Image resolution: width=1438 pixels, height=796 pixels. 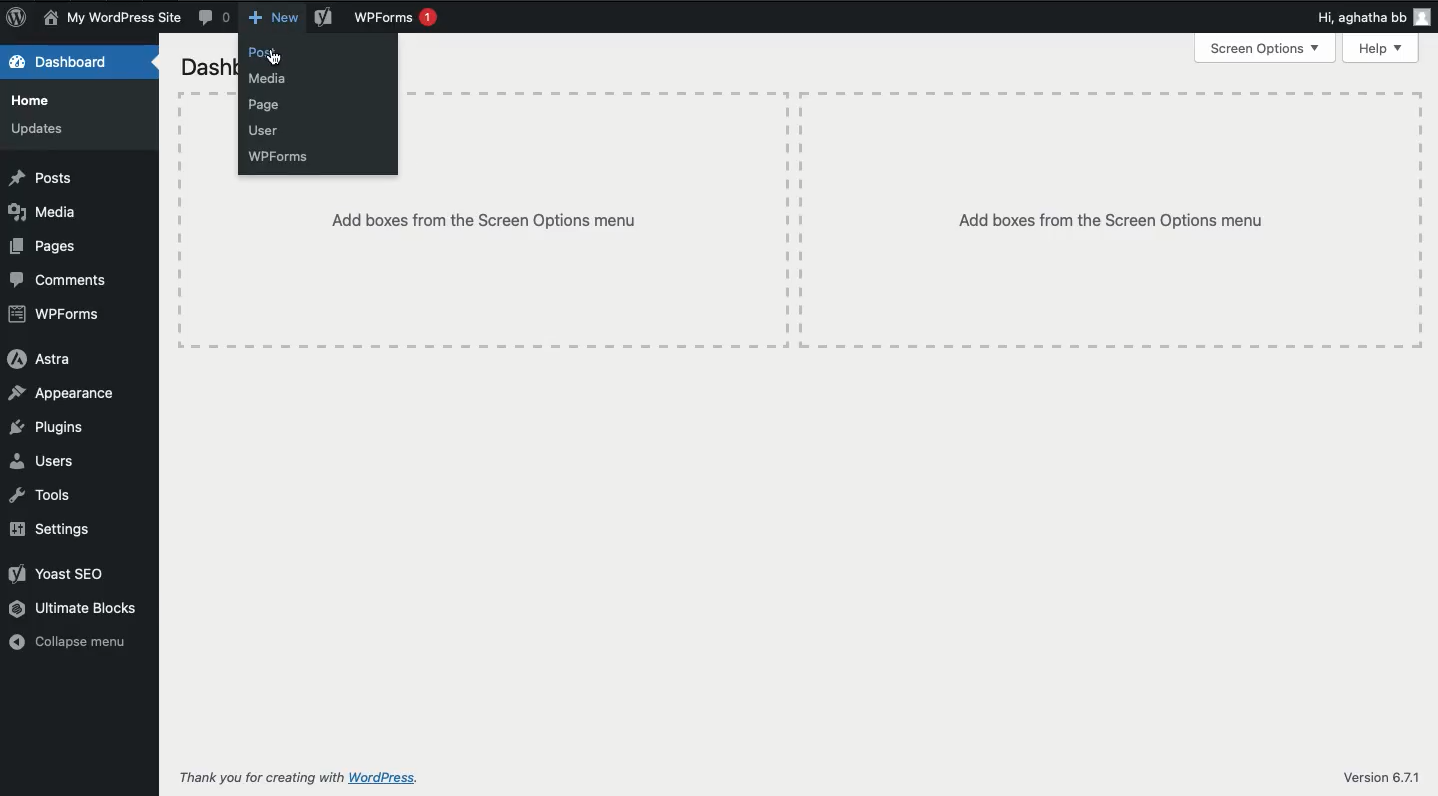 What do you see at coordinates (55, 316) in the screenshot?
I see `WPForms` at bounding box center [55, 316].